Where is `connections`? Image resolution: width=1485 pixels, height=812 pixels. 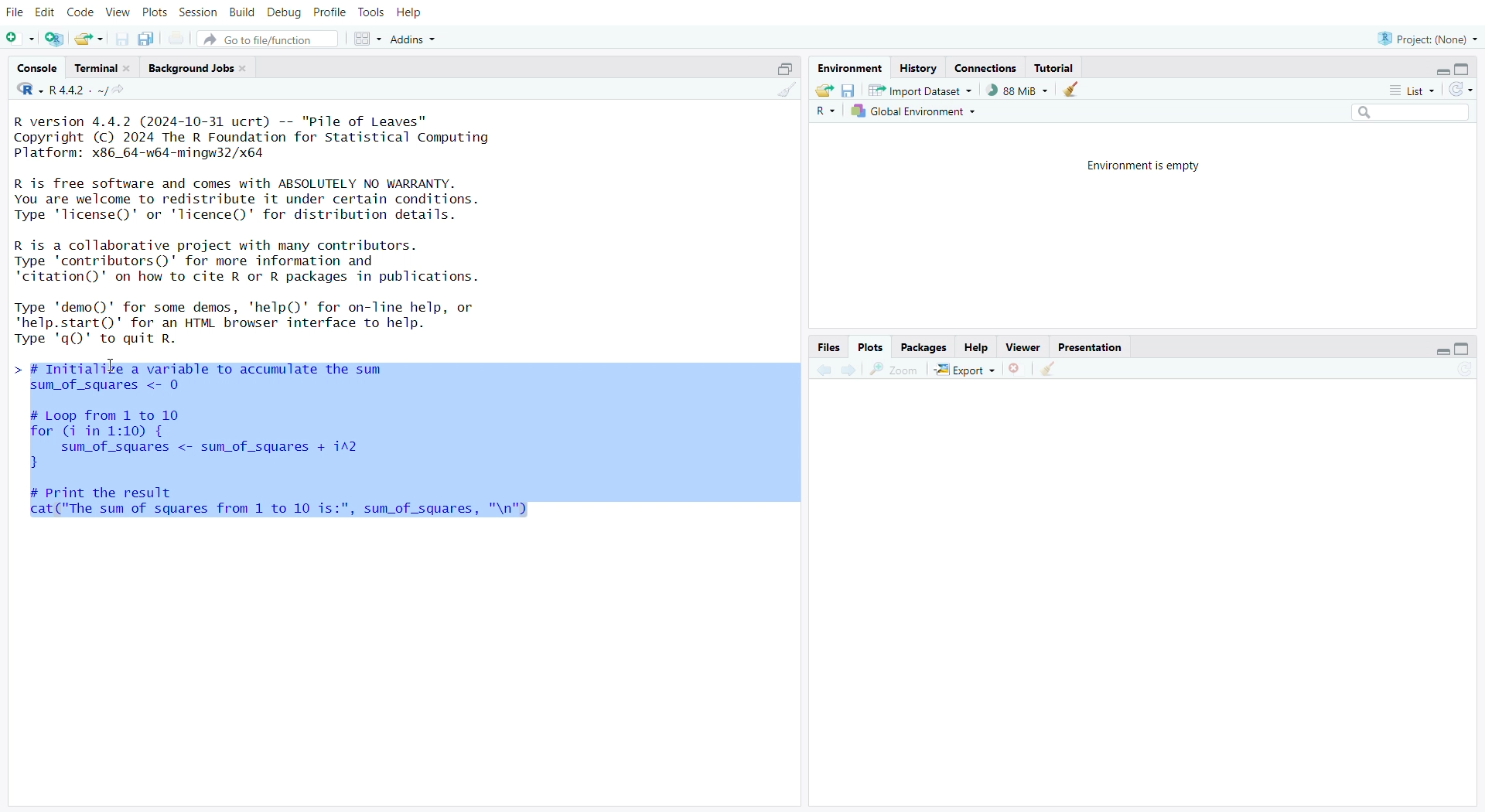
connections is located at coordinates (986, 67).